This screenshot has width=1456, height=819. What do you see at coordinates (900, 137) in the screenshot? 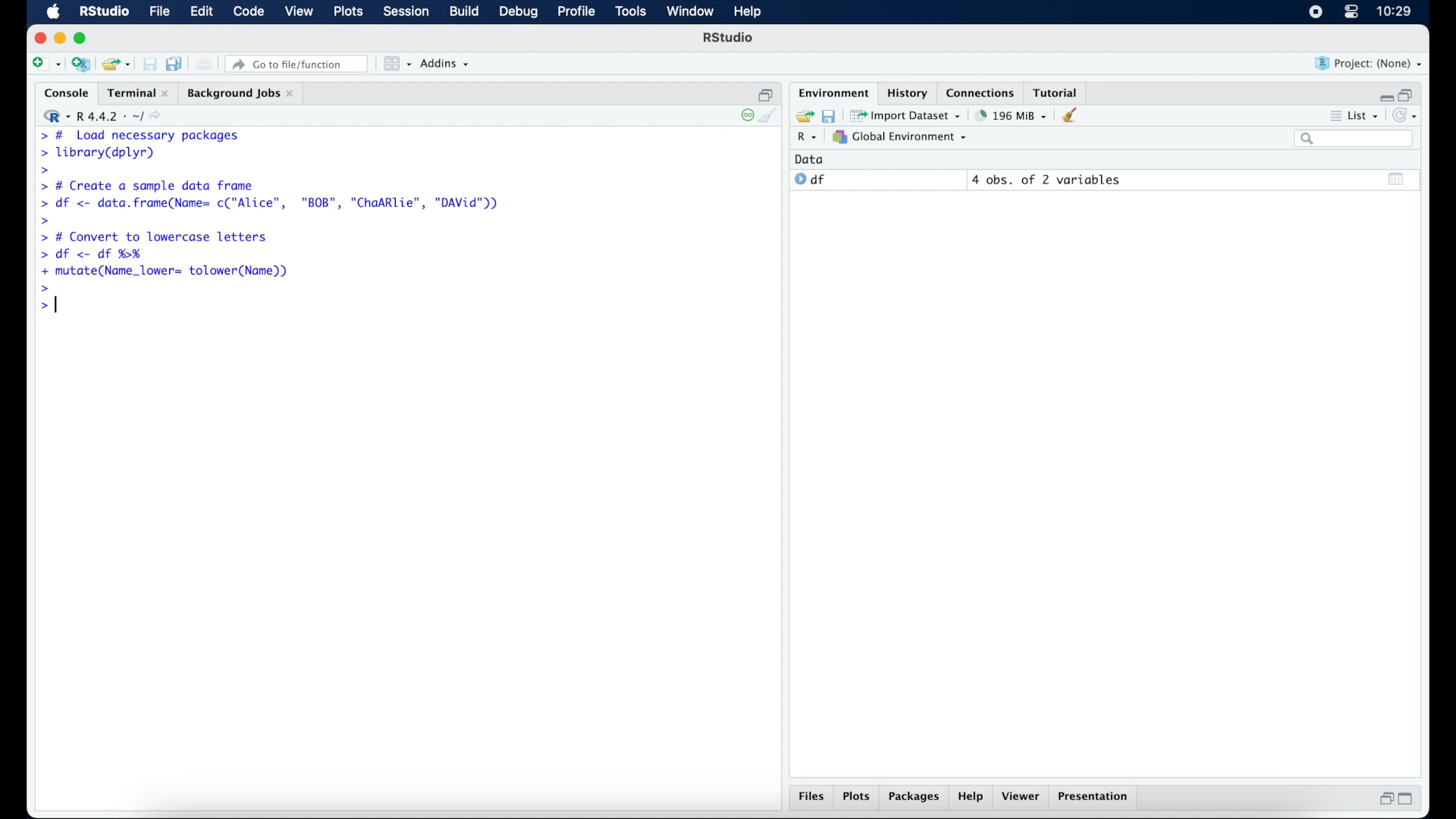
I see `global environment` at bounding box center [900, 137].